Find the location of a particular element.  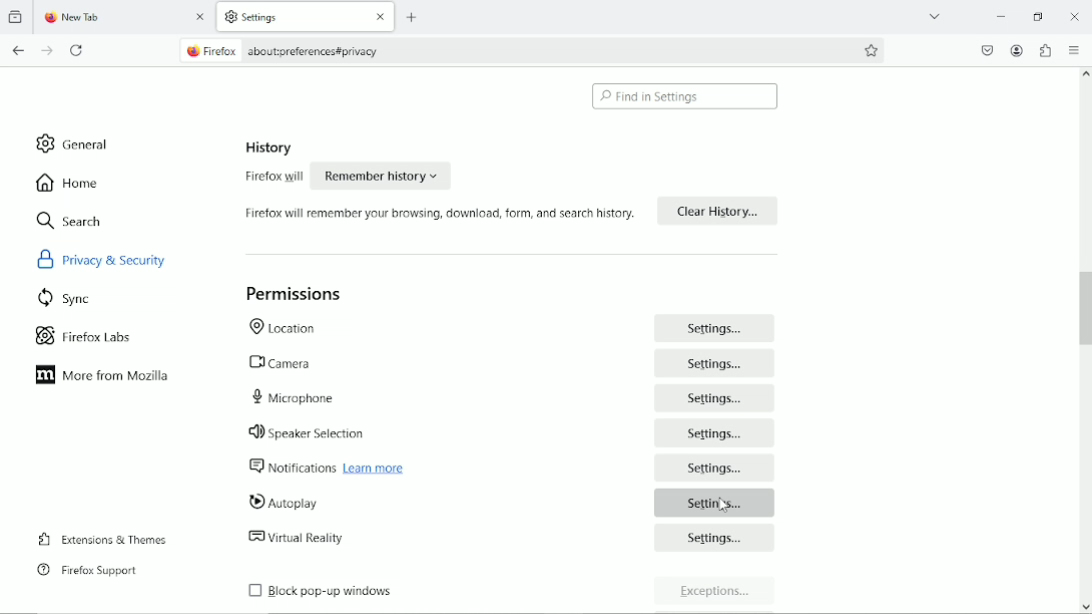

learn more is located at coordinates (388, 470).